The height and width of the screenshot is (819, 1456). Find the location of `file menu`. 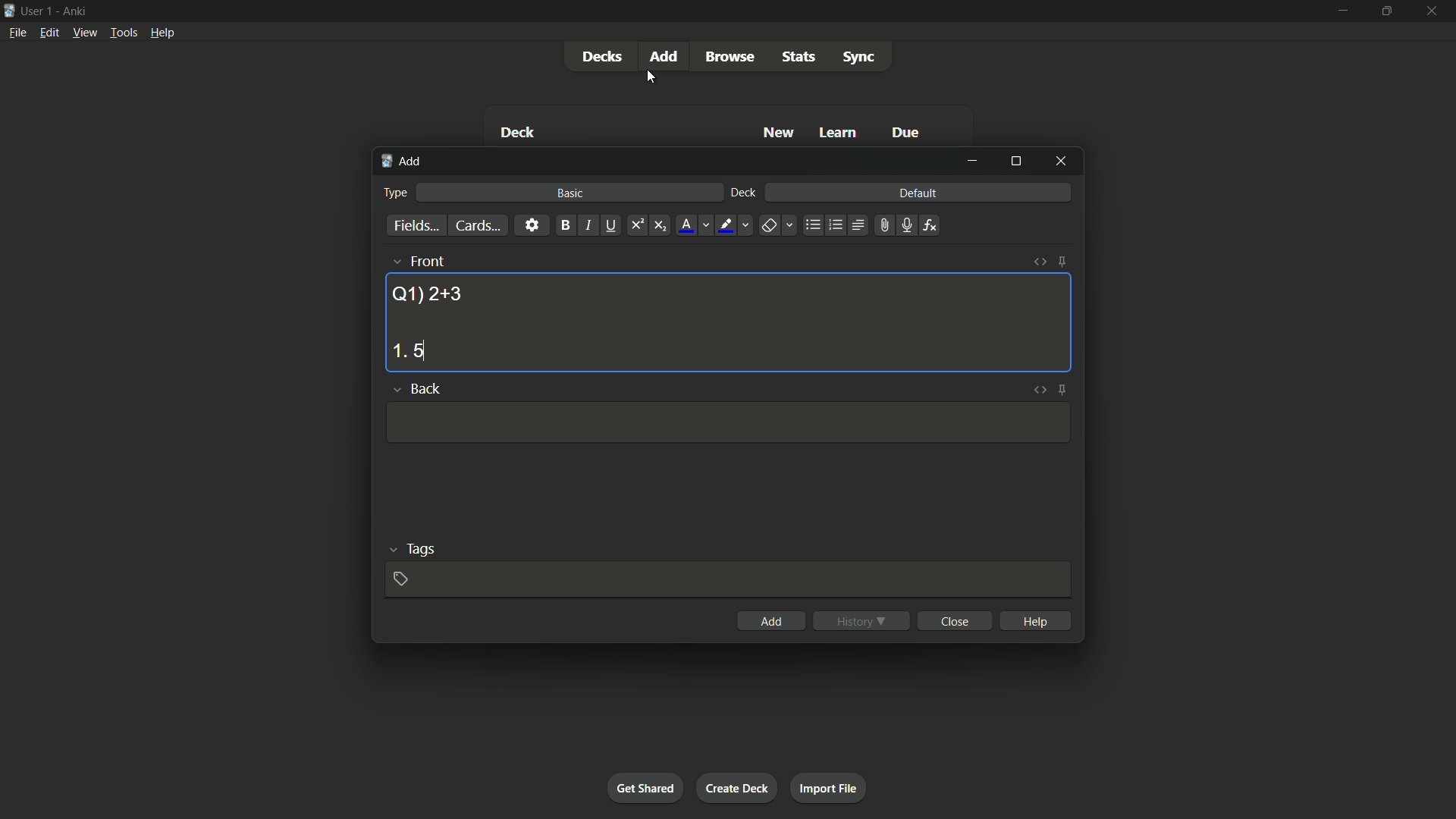

file menu is located at coordinates (19, 32).